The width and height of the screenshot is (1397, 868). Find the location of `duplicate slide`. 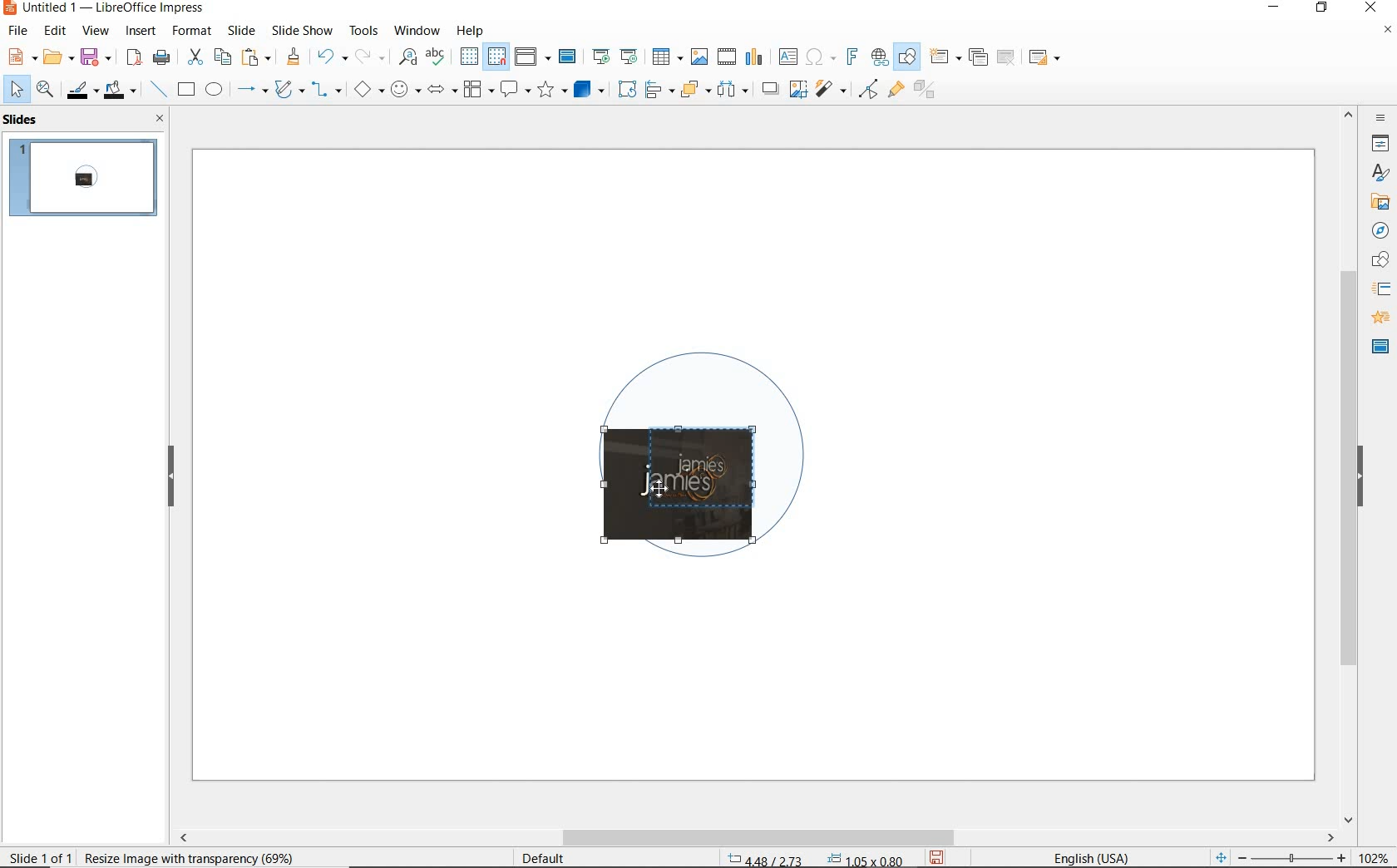

duplicate slide is located at coordinates (978, 57).